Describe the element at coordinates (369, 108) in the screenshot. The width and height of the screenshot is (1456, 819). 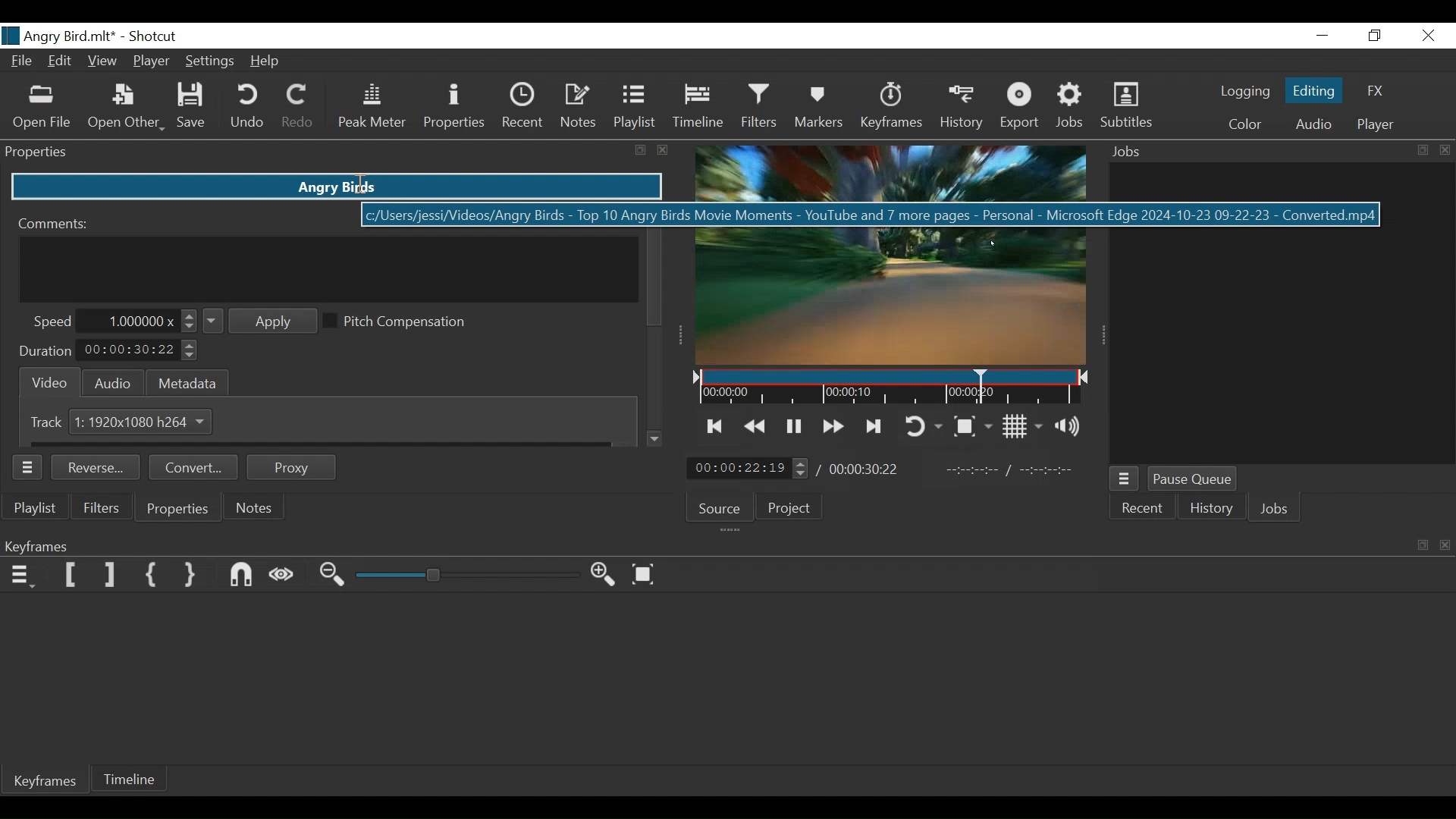
I see `Peak Meter` at that location.